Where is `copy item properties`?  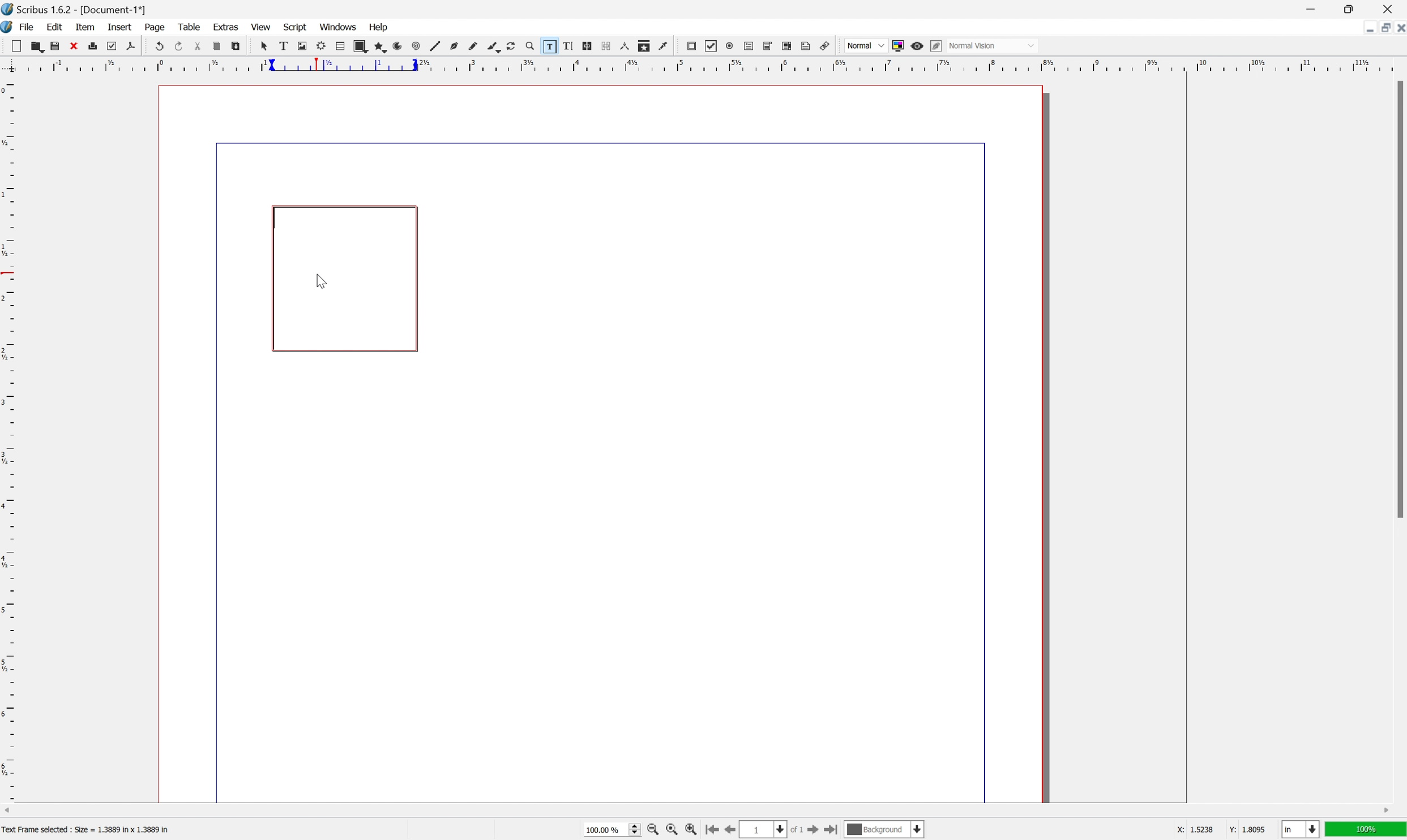
copy item properties is located at coordinates (643, 46).